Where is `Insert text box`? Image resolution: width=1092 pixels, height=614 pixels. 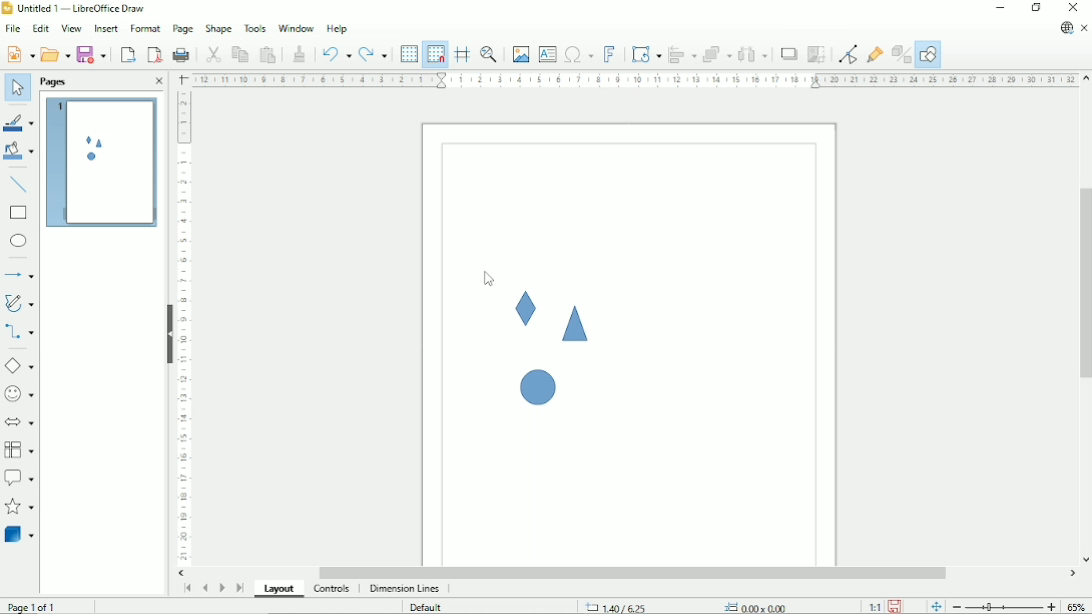
Insert text box is located at coordinates (547, 54).